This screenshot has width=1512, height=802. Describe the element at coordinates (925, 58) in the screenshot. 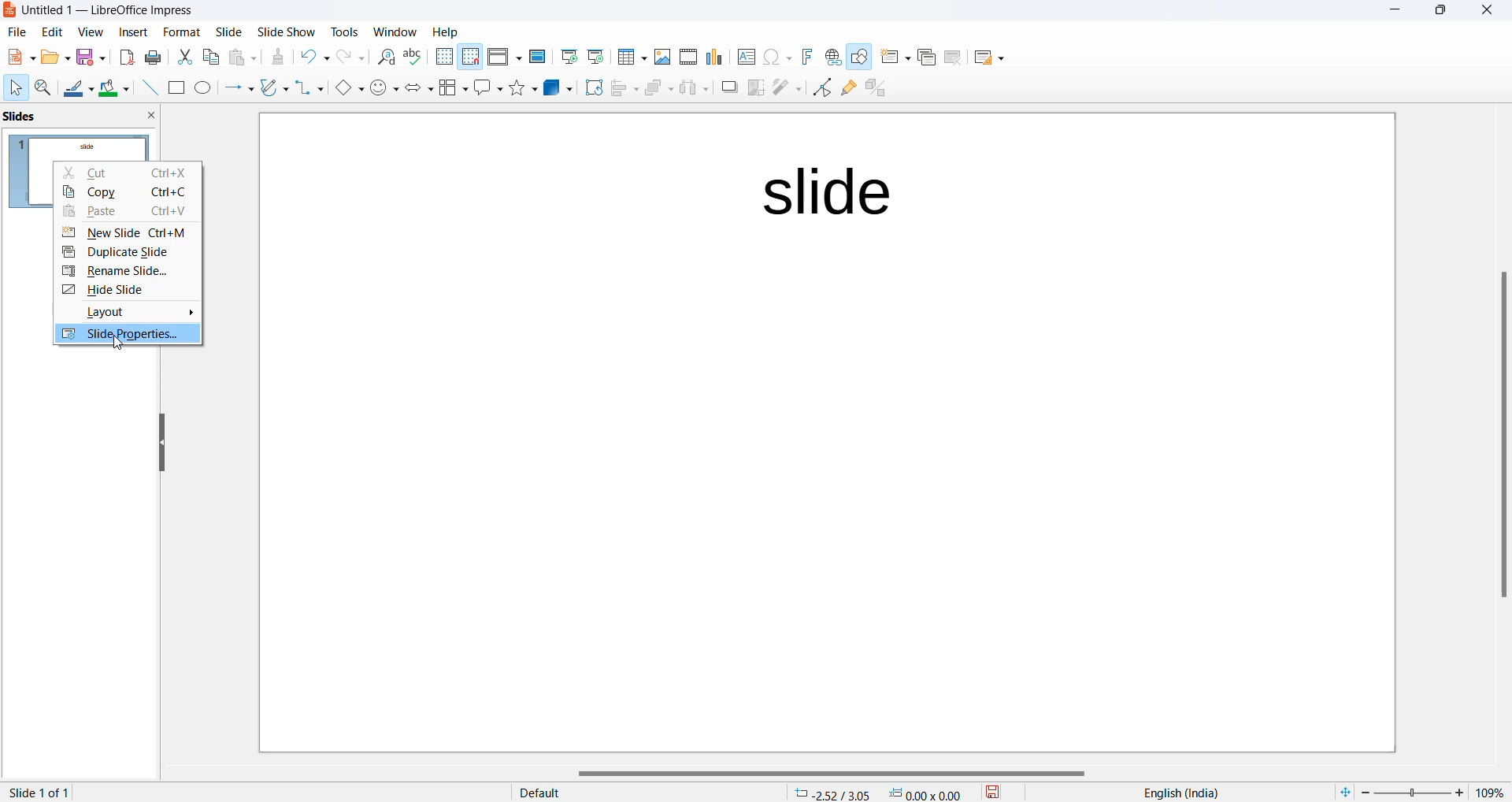

I see `duplicate slide` at that location.